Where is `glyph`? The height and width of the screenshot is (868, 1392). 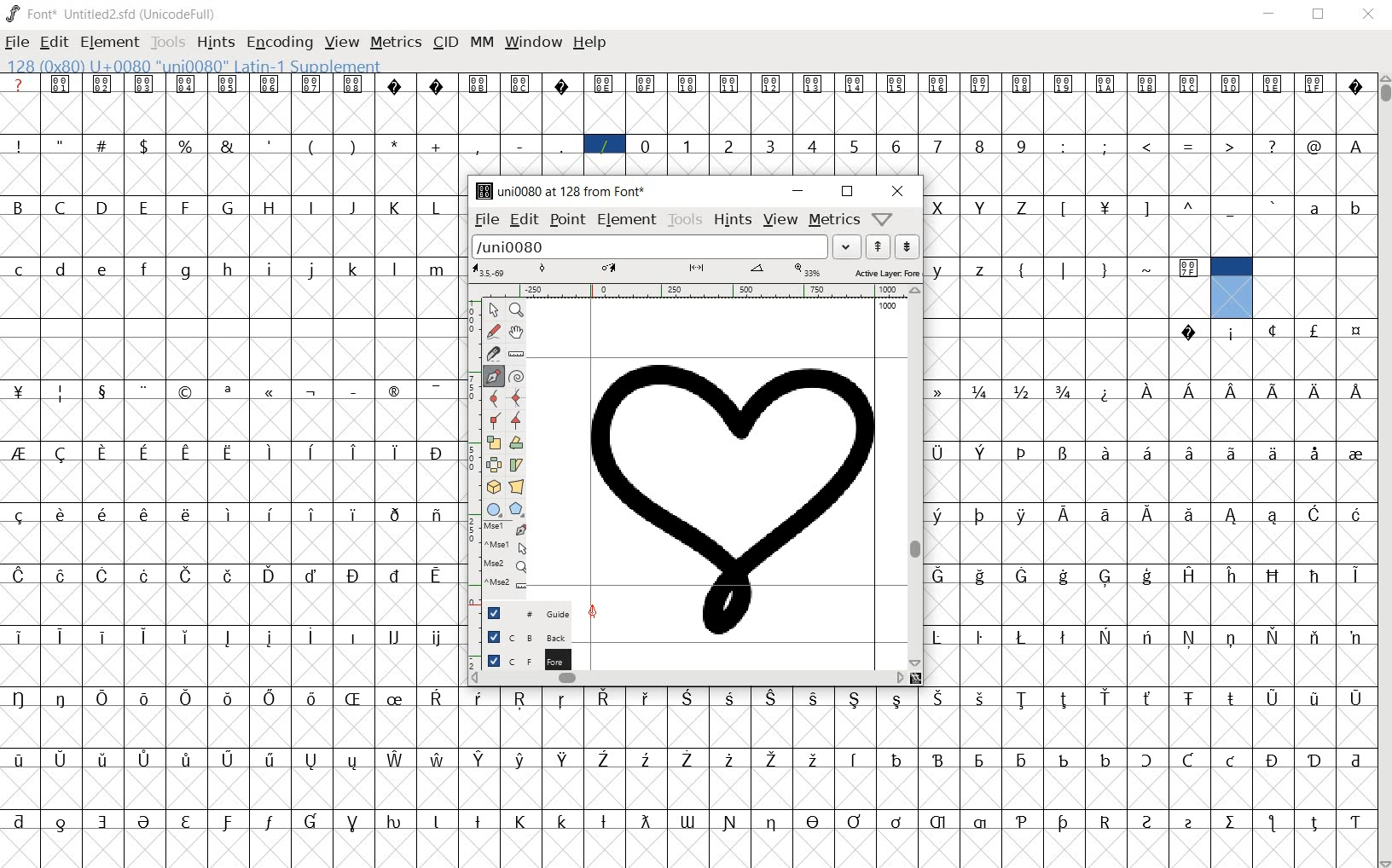
glyph is located at coordinates (1355, 761).